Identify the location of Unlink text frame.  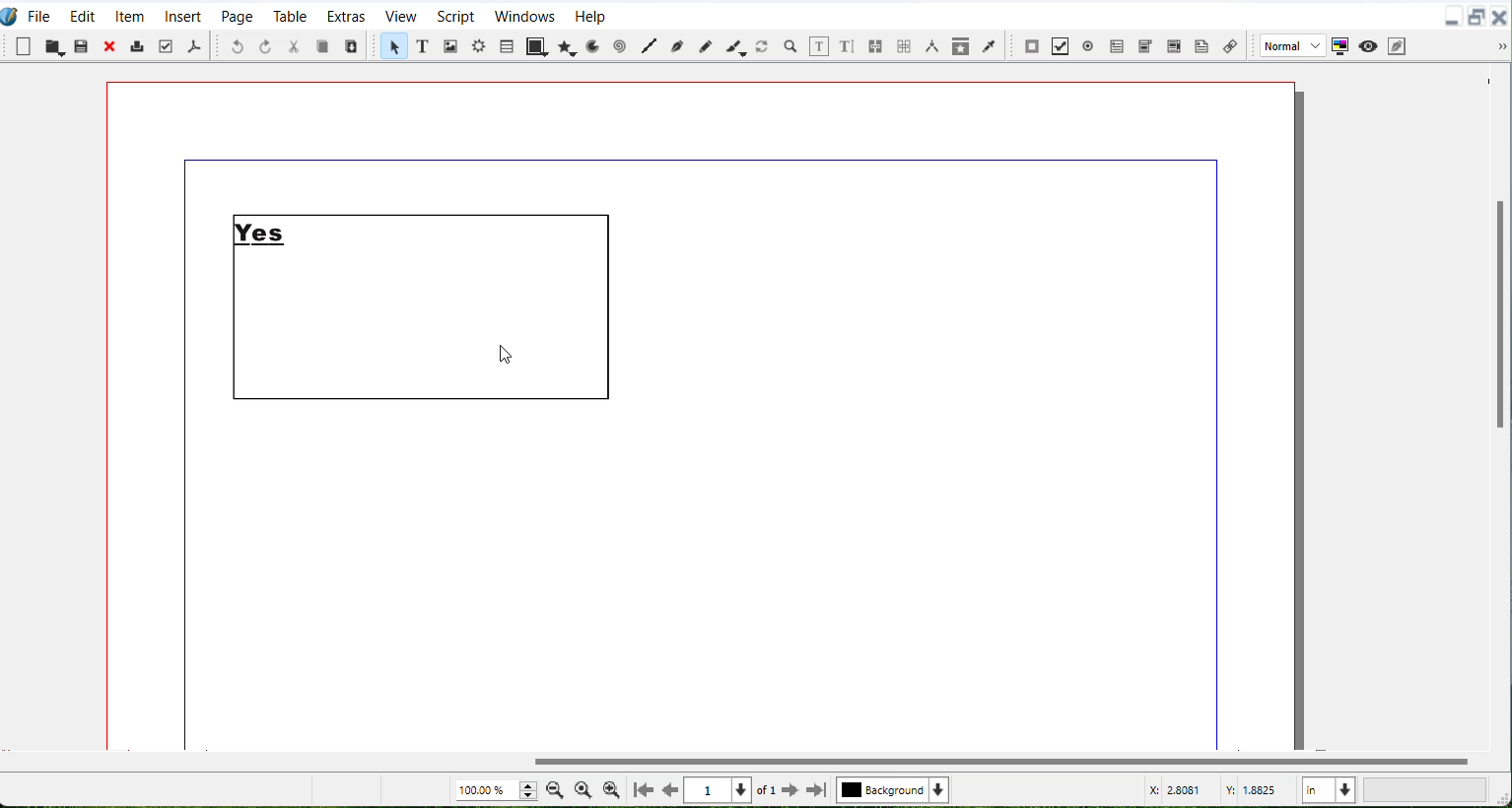
(904, 45).